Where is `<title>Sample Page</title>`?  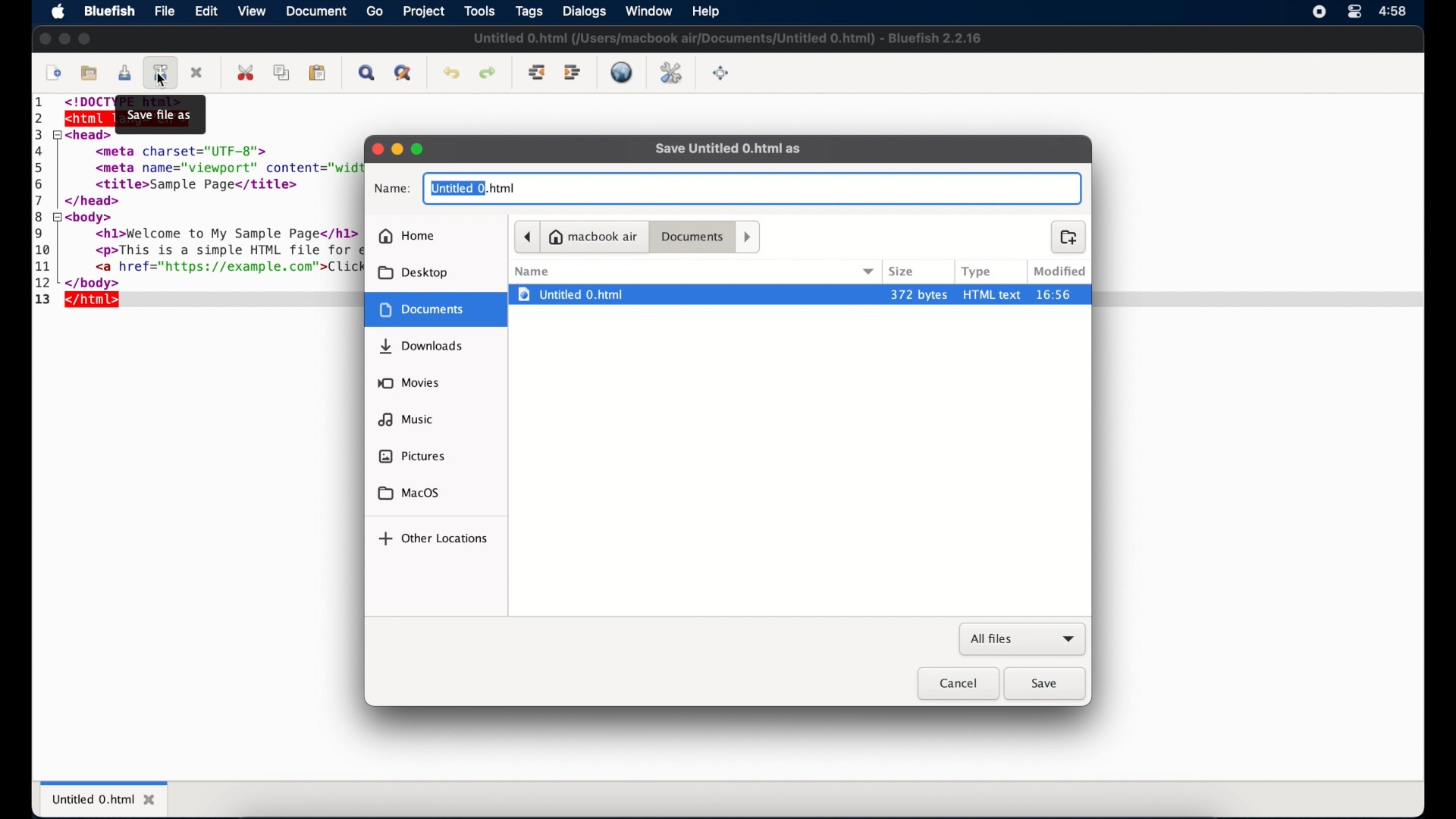 <title>Sample Page</title> is located at coordinates (189, 185).